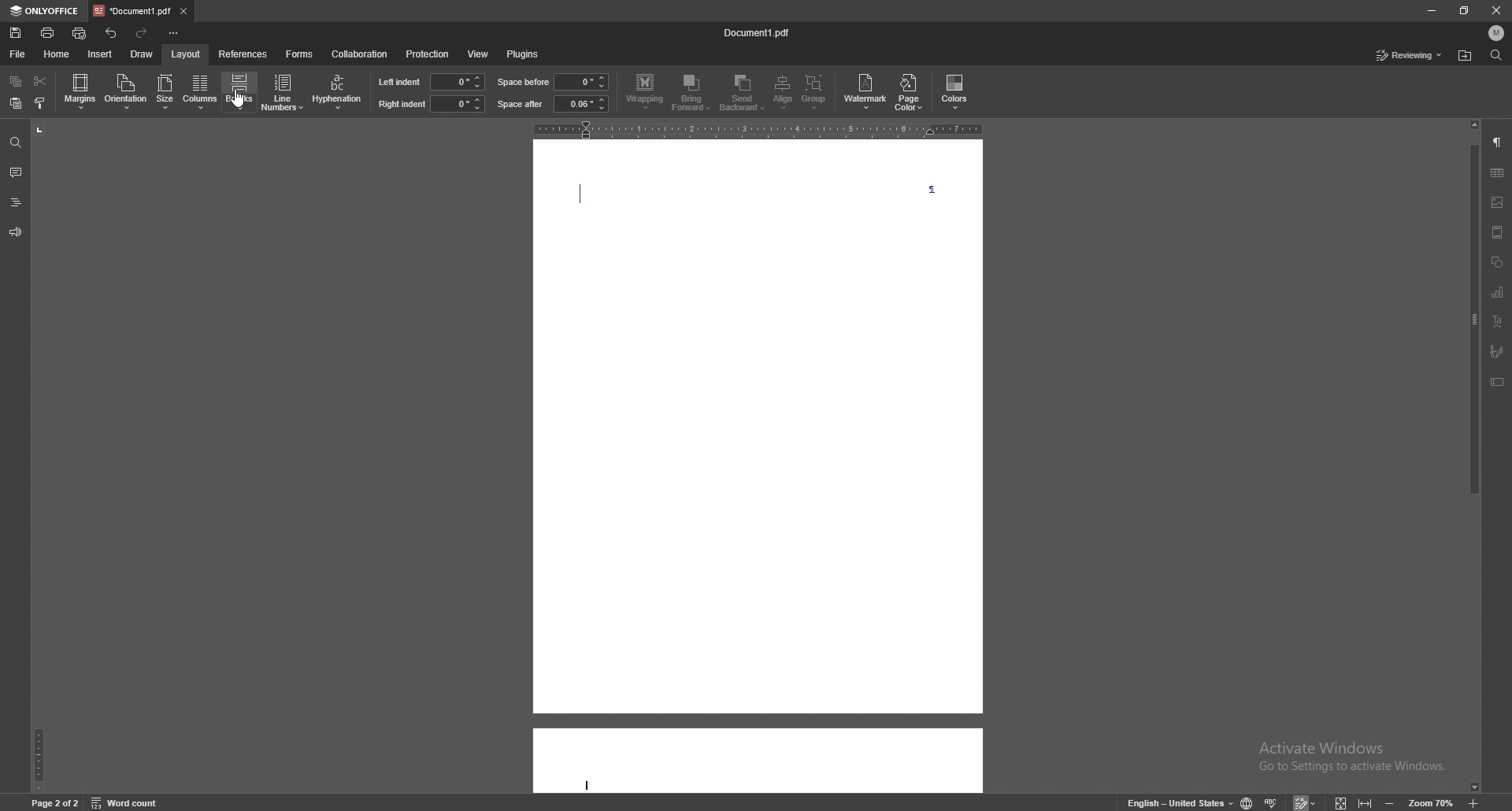 This screenshot has width=1512, height=811. What do you see at coordinates (1495, 261) in the screenshot?
I see `shapes` at bounding box center [1495, 261].